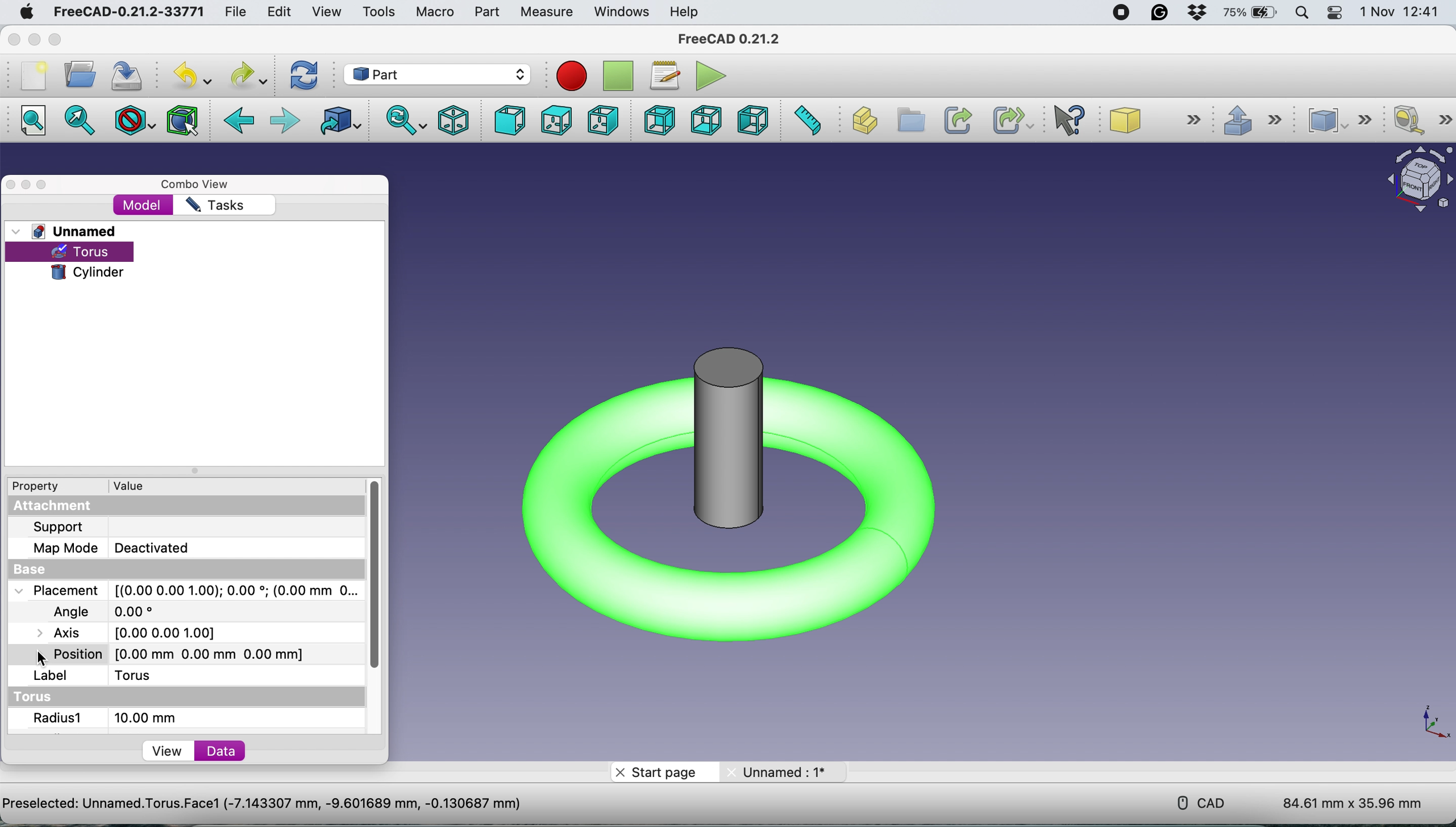 The width and height of the screenshot is (1456, 827). I want to click on bottom, so click(710, 120).